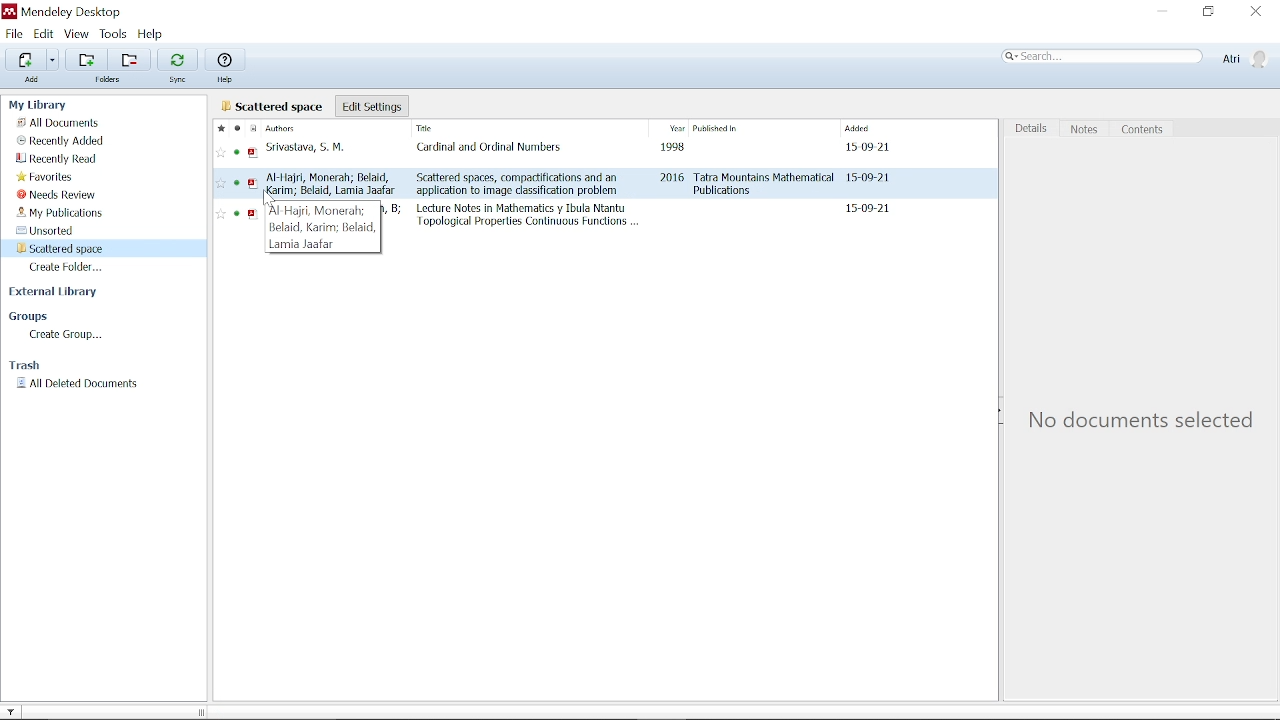  What do you see at coordinates (44, 34) in the screenshot?
I see `Edit` at bounding box center [44, 34].